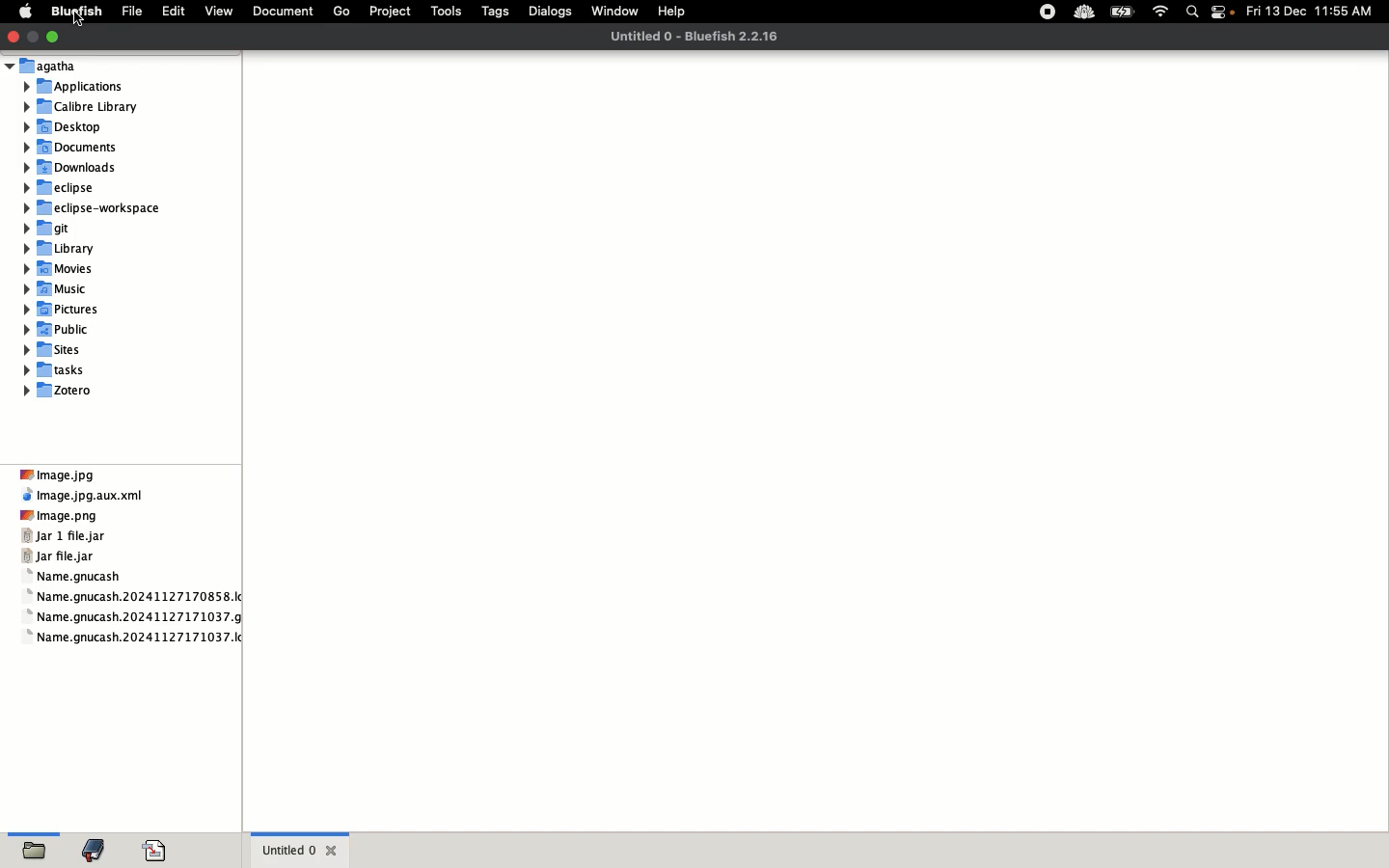  I want to click on Search, so click(1193, 14).